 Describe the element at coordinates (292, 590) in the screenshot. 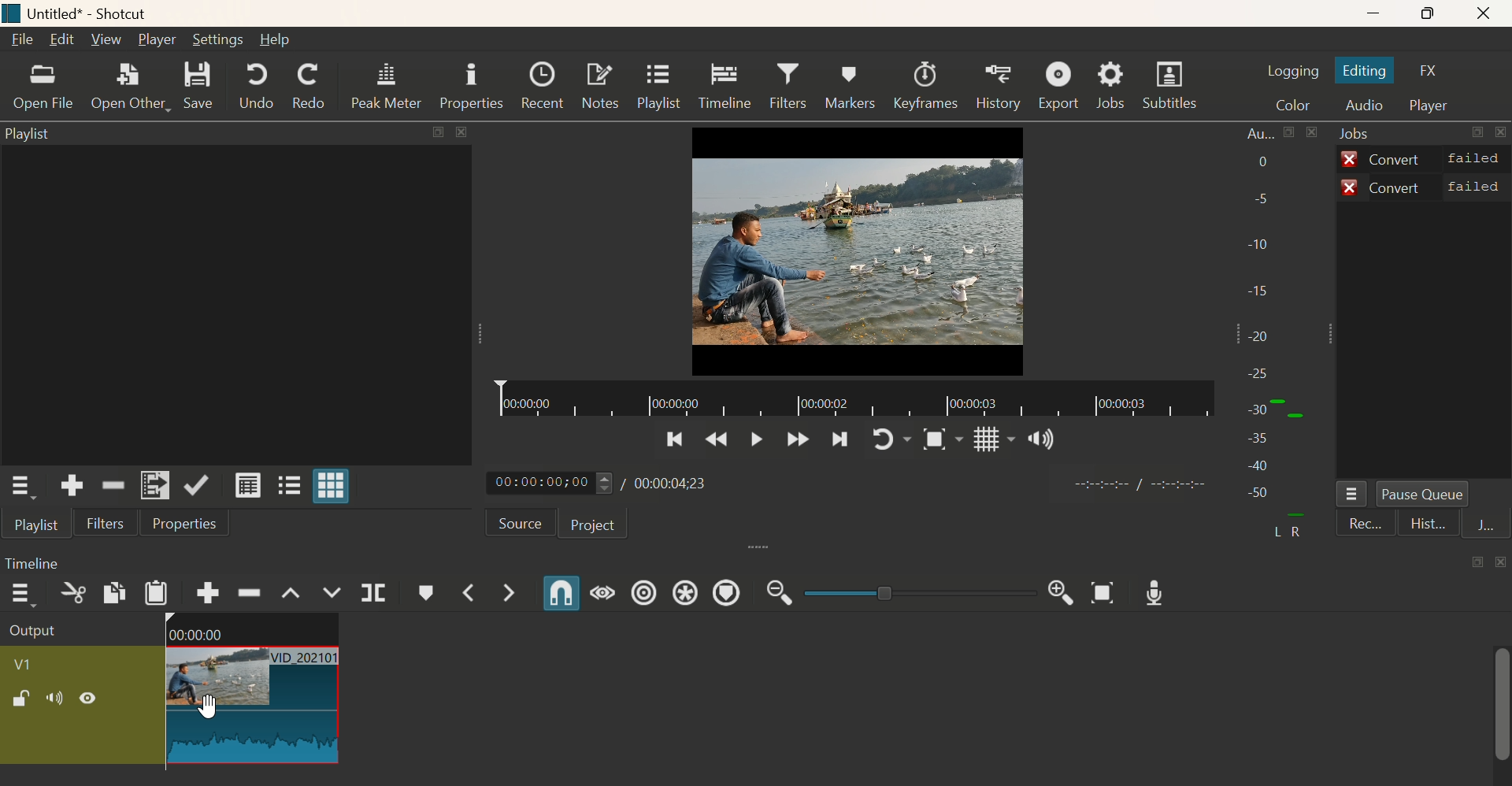

I see `Lift` at that location.